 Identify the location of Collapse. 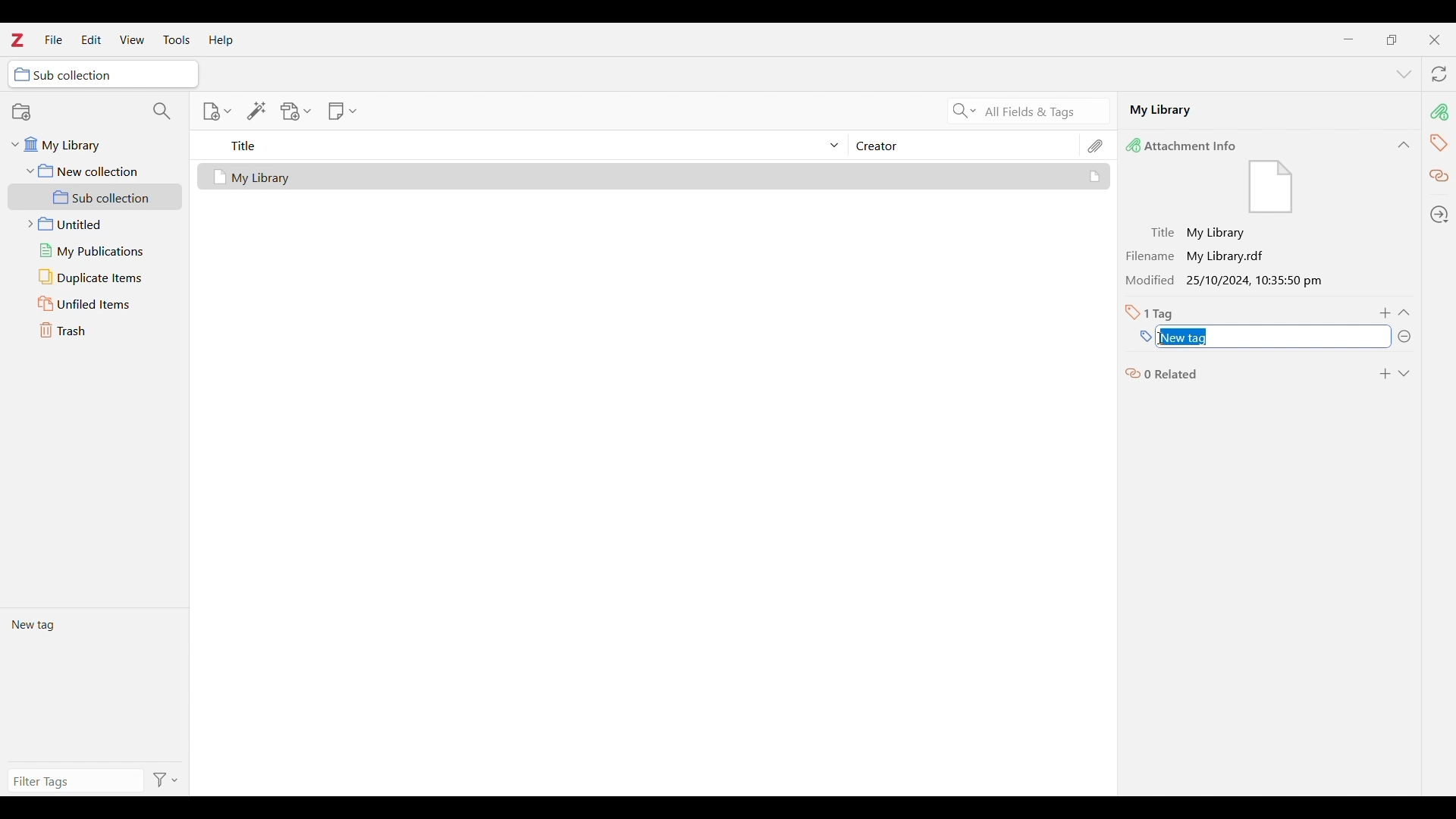
(1404, 312).